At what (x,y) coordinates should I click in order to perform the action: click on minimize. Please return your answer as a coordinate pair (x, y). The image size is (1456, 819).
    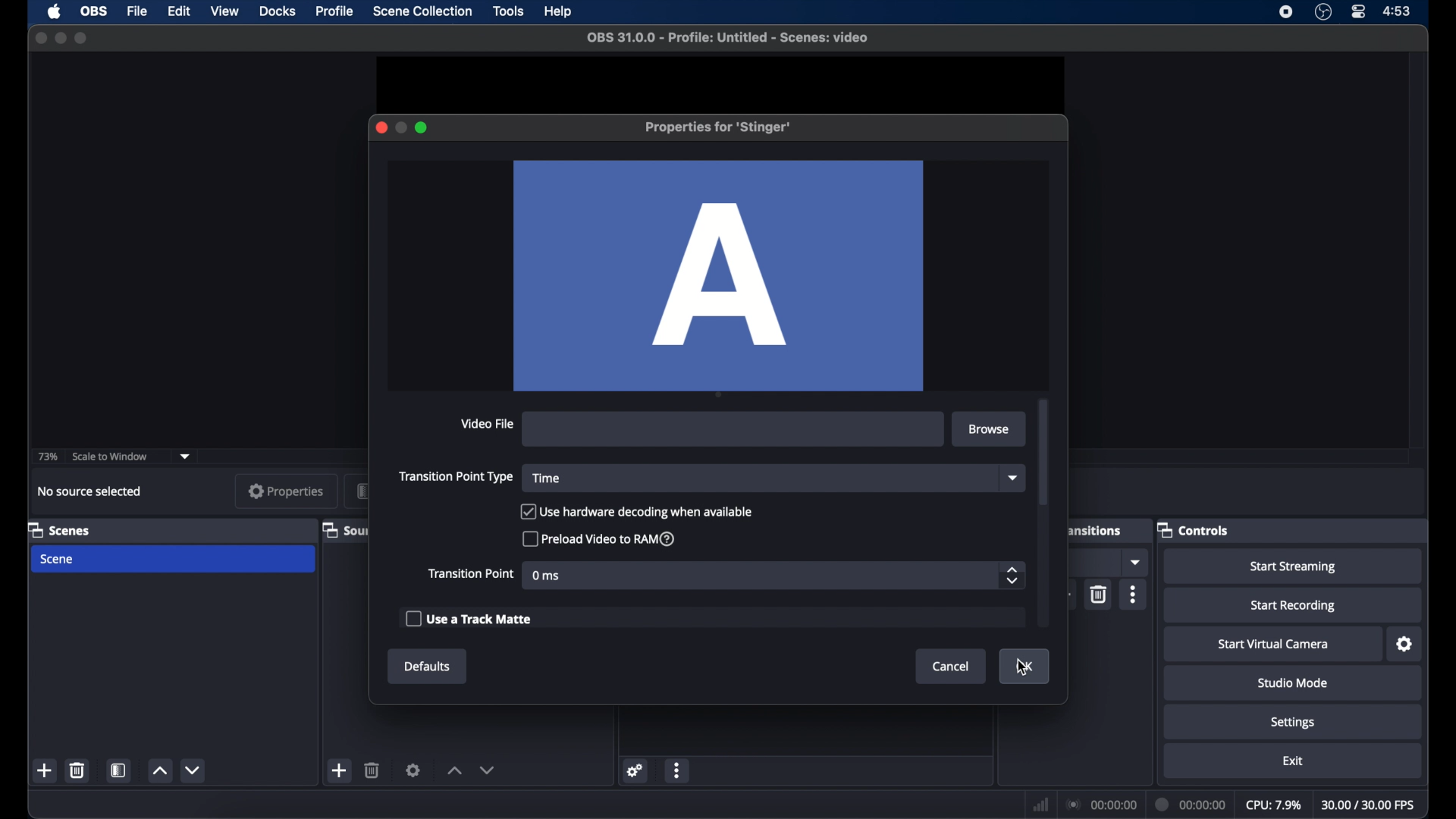
    Looking at the image, I should click on (60, 38).